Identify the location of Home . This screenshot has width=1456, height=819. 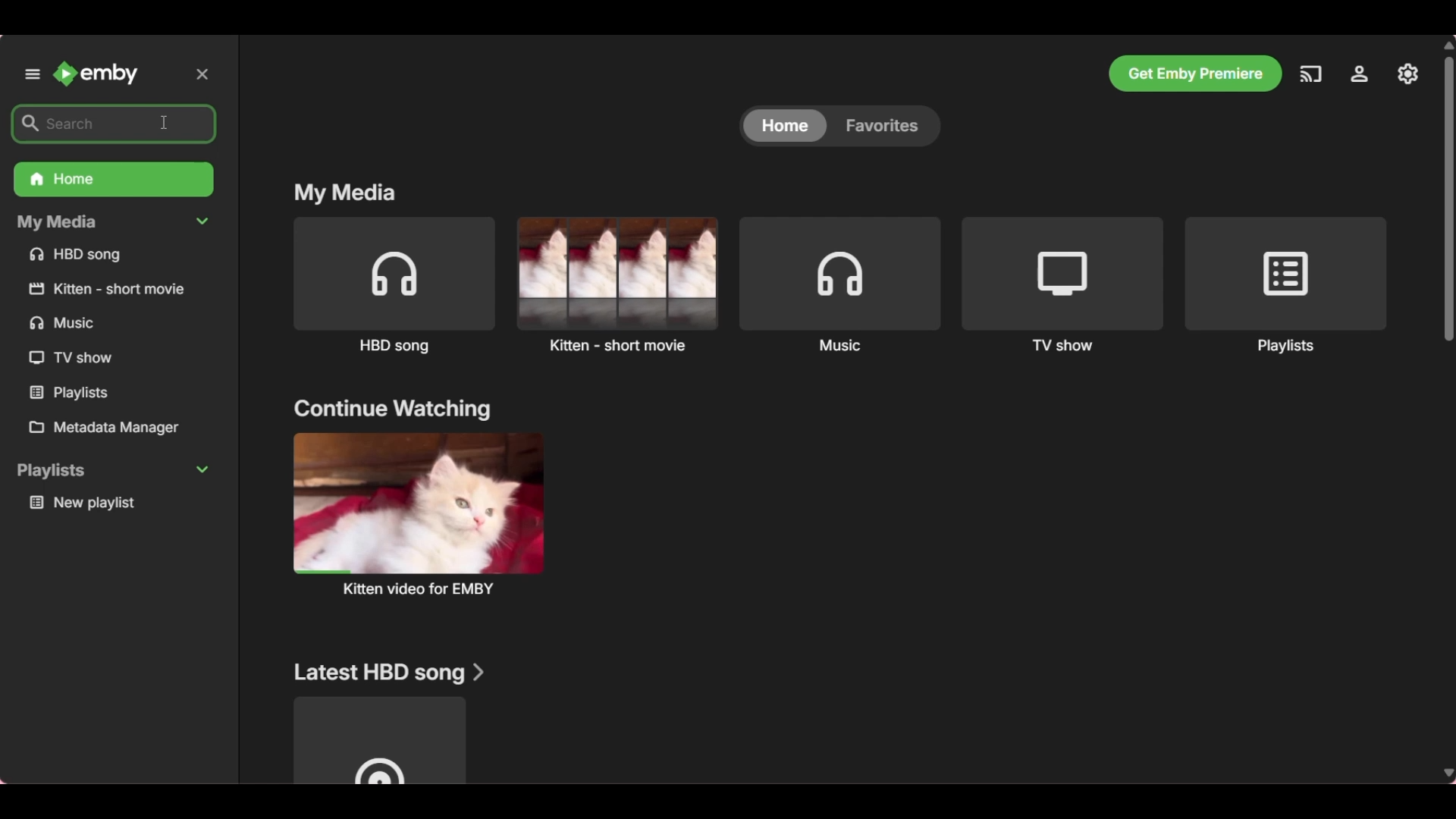
(112, 180).